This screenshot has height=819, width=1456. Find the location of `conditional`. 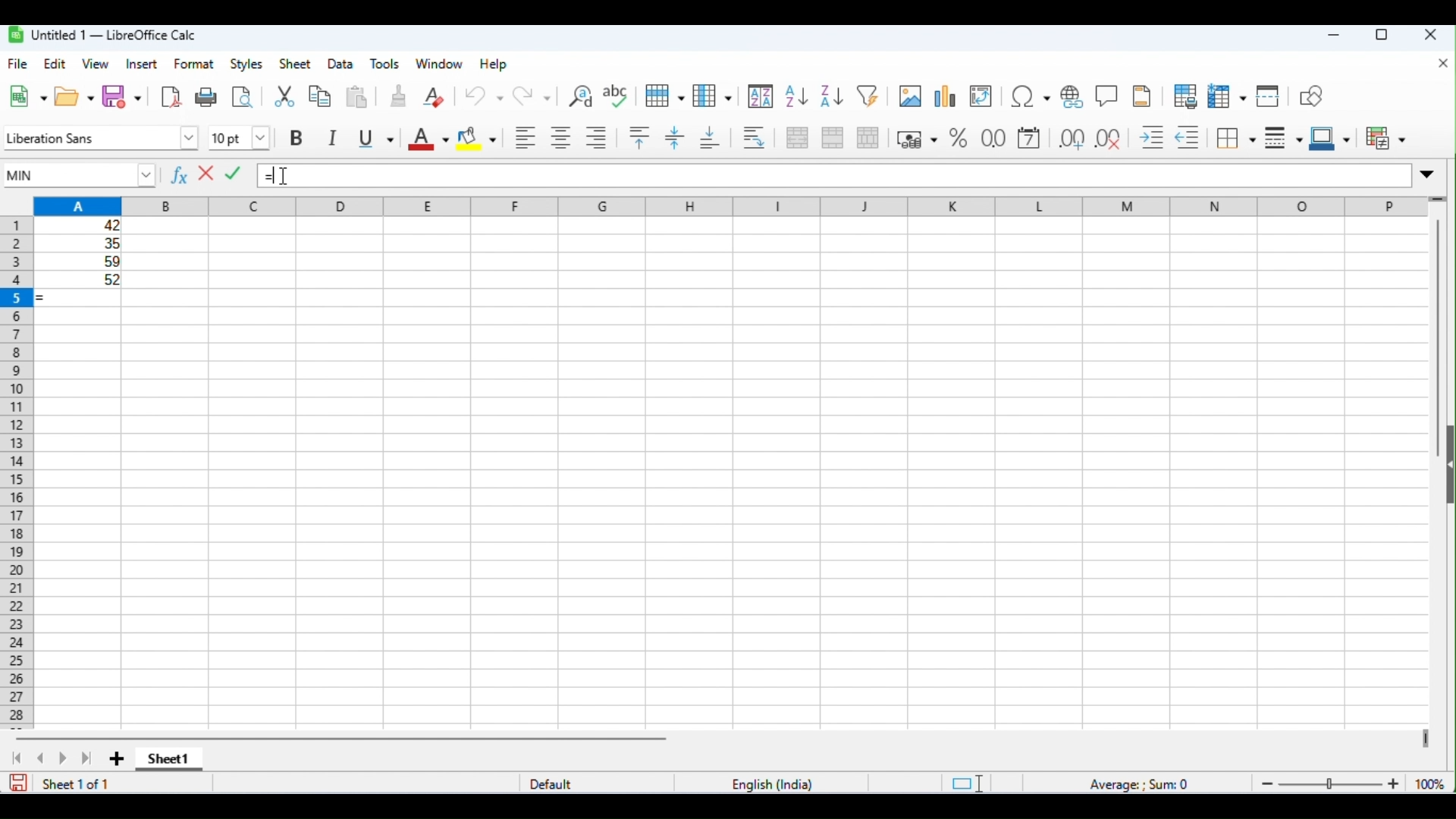

conditional is located at coordinates (1384, 139).